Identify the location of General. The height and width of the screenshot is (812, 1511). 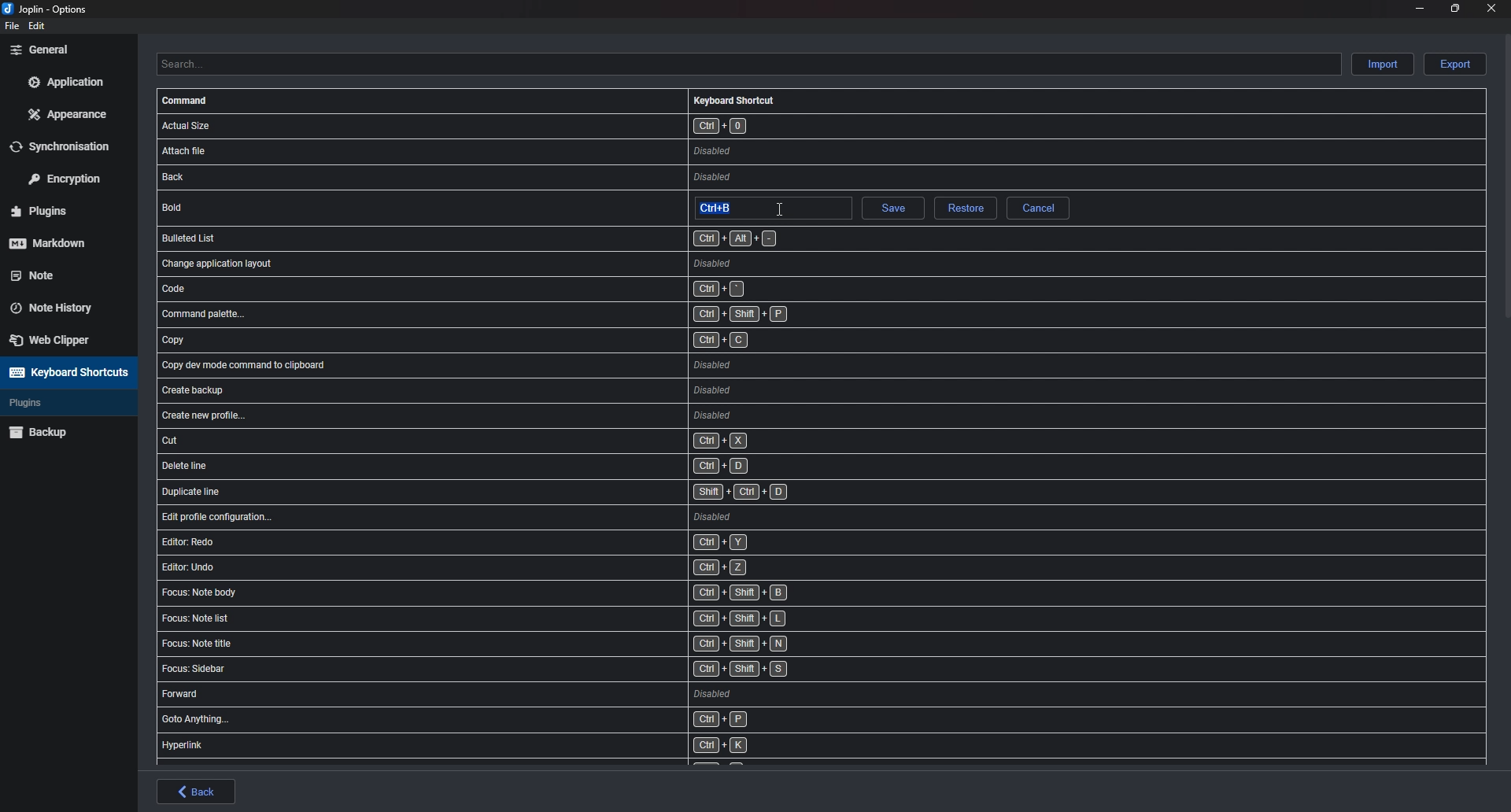
(65, 49).